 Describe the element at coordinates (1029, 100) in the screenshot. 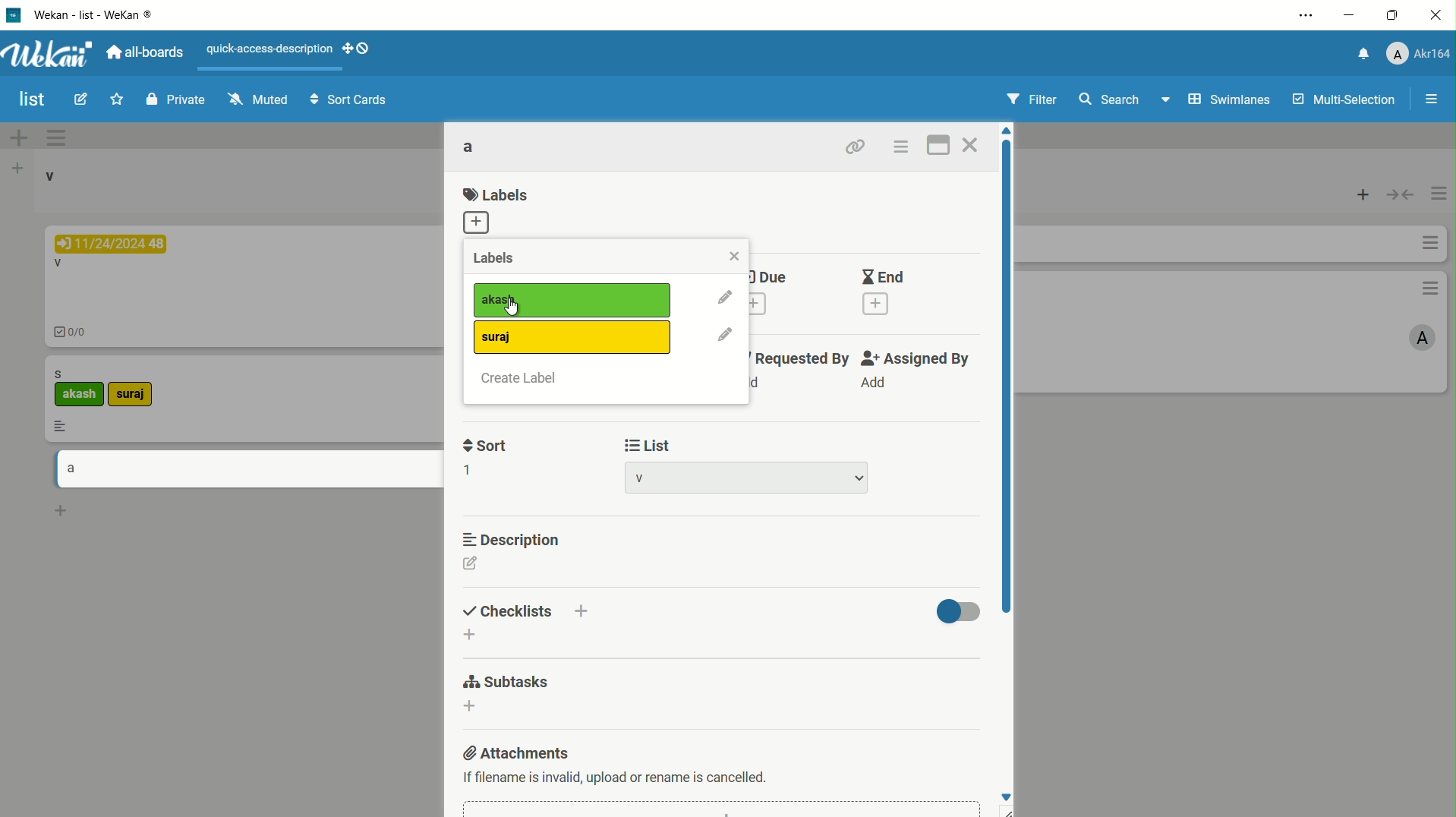

I see `filter` at that location.